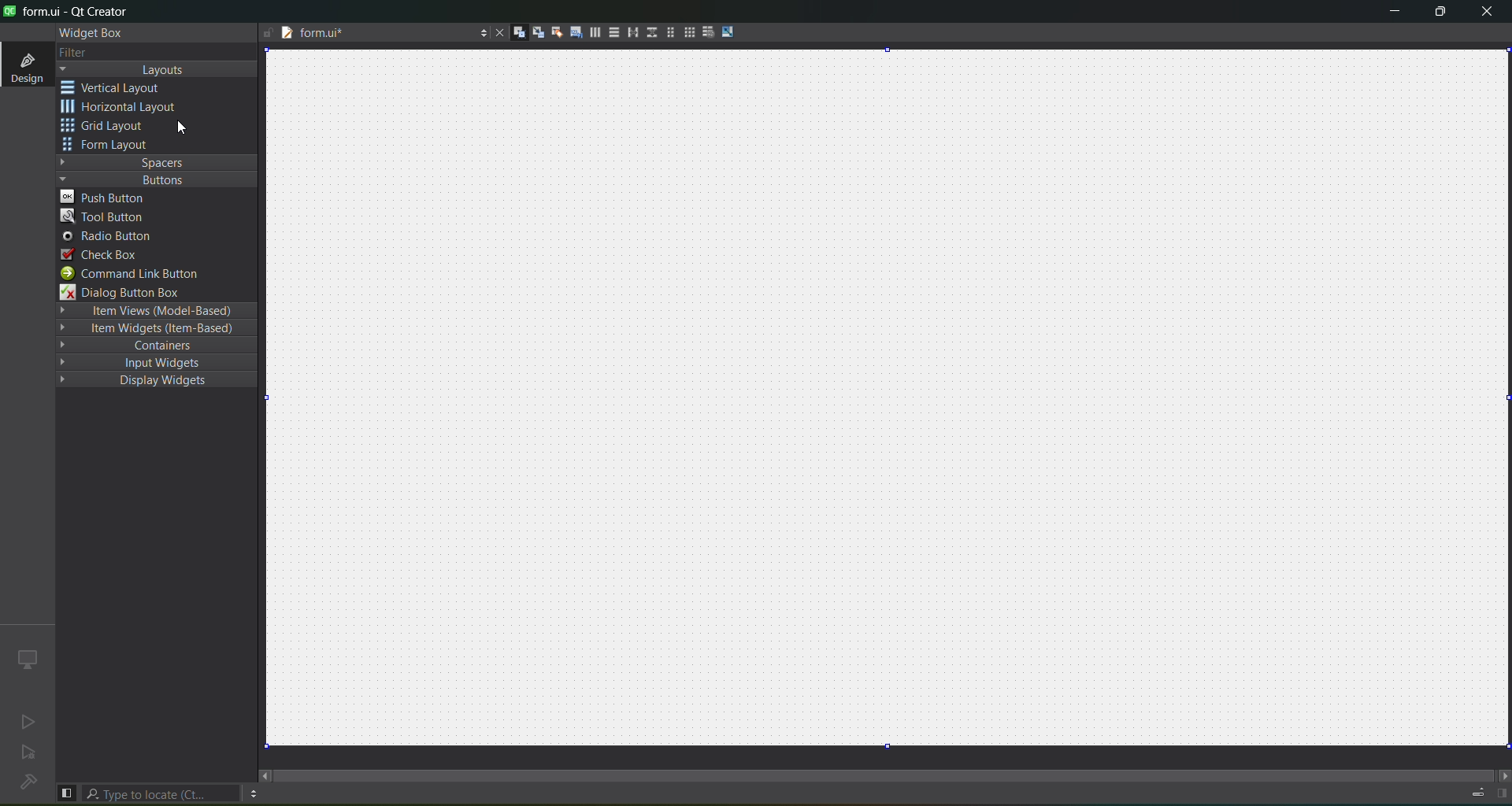  I want to click on adjust size, so click(730, 31).